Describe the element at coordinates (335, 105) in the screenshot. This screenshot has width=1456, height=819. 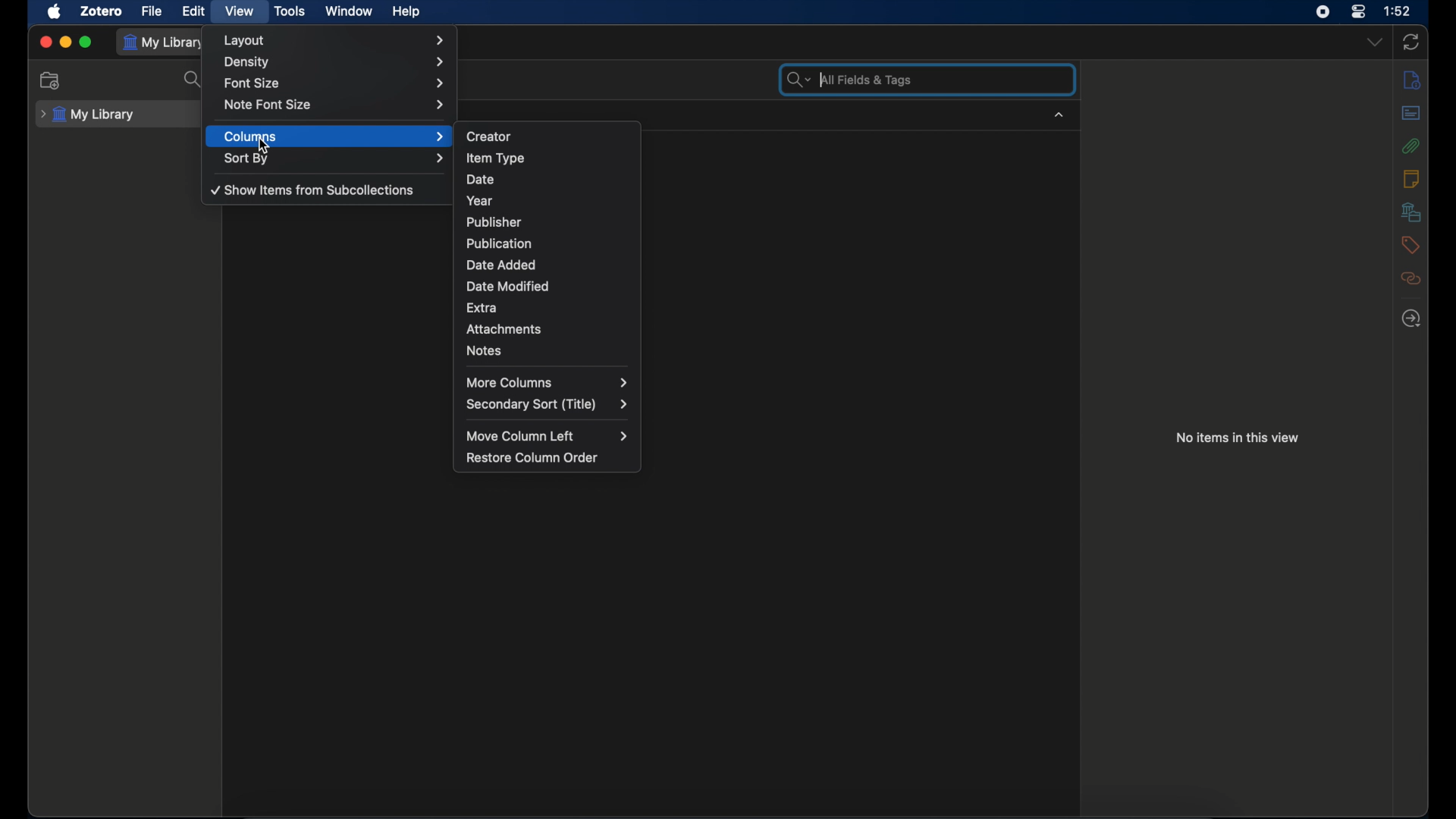
I see `note font size` at that location.